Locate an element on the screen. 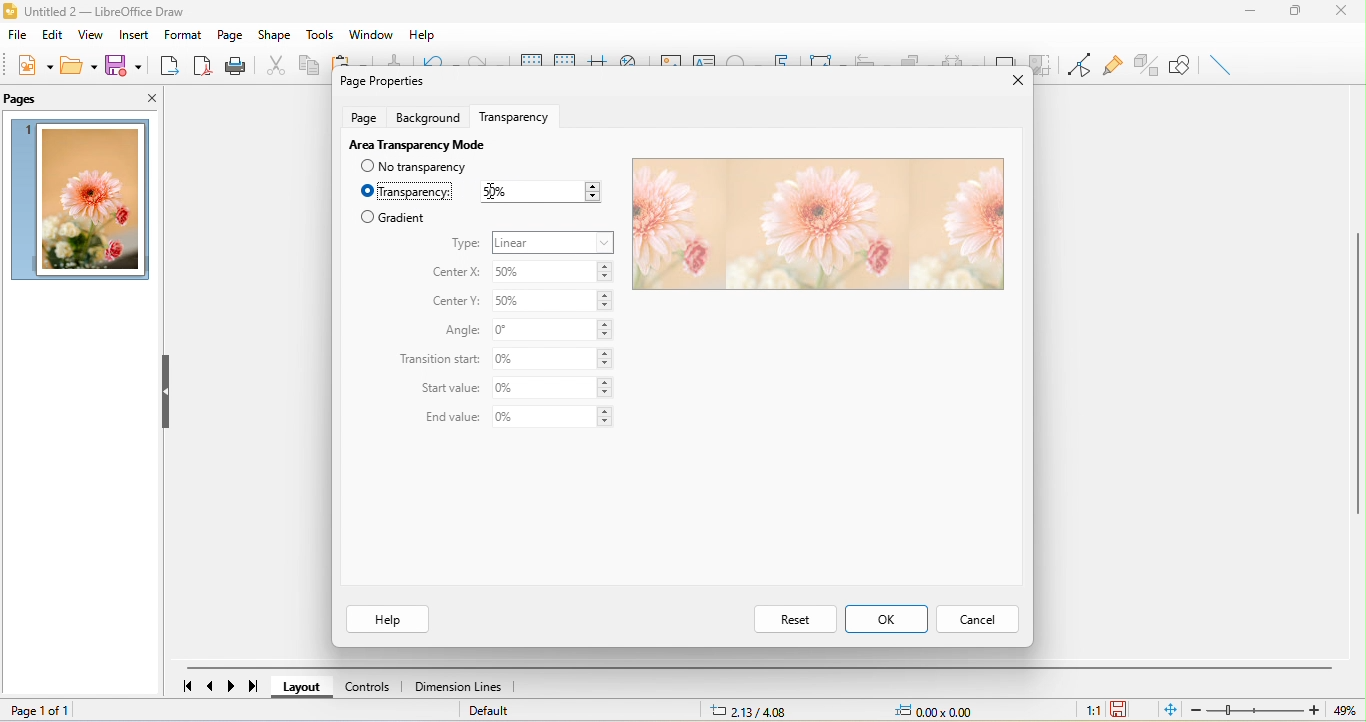 This screenshot has width=1366, height=722. title is located at coordinates (102, 13).